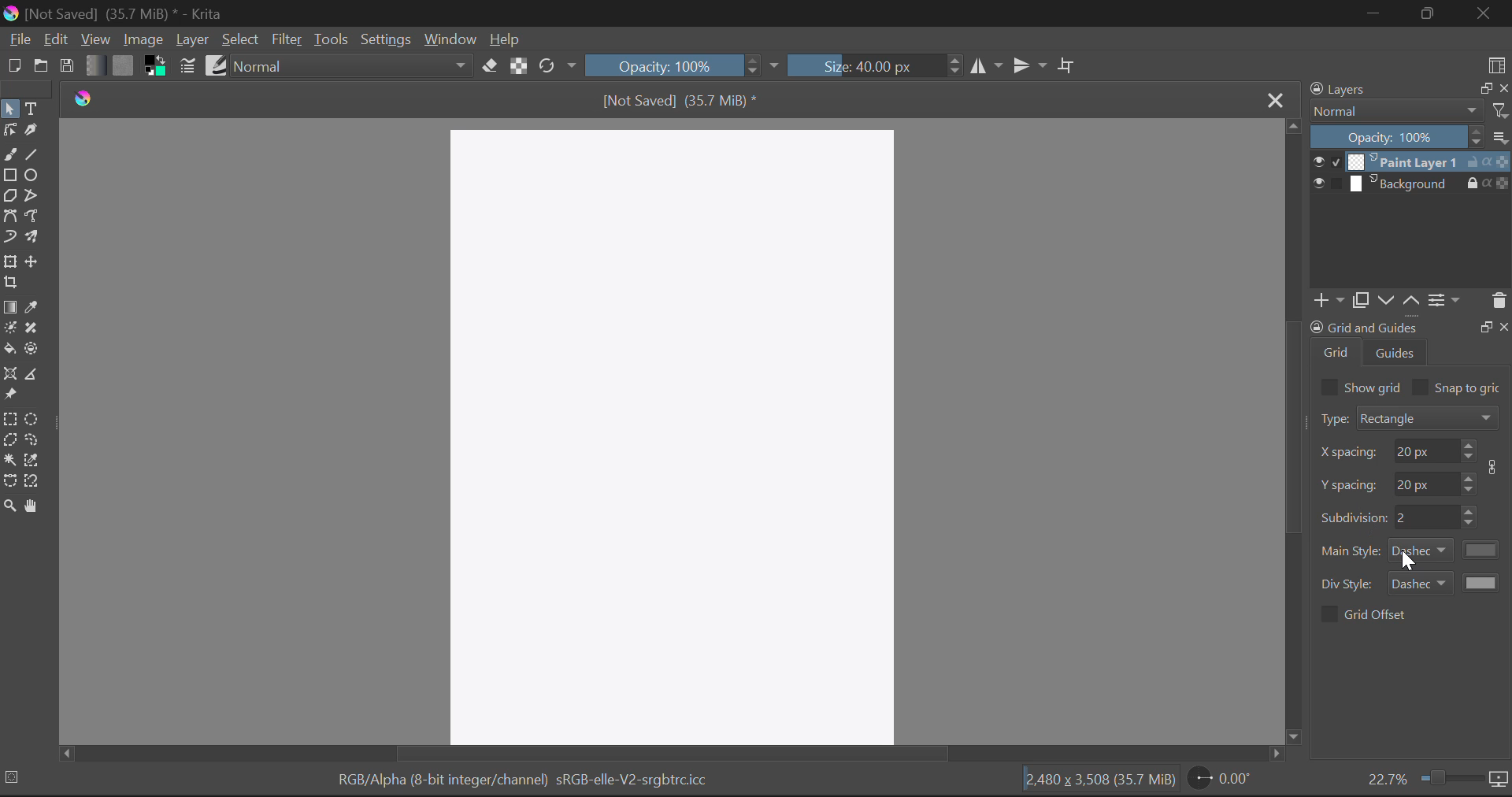 Image resolution: width=1512 pixels, height=797 pixels. I want to click on Calligraphic Tool, so click(34, 134).